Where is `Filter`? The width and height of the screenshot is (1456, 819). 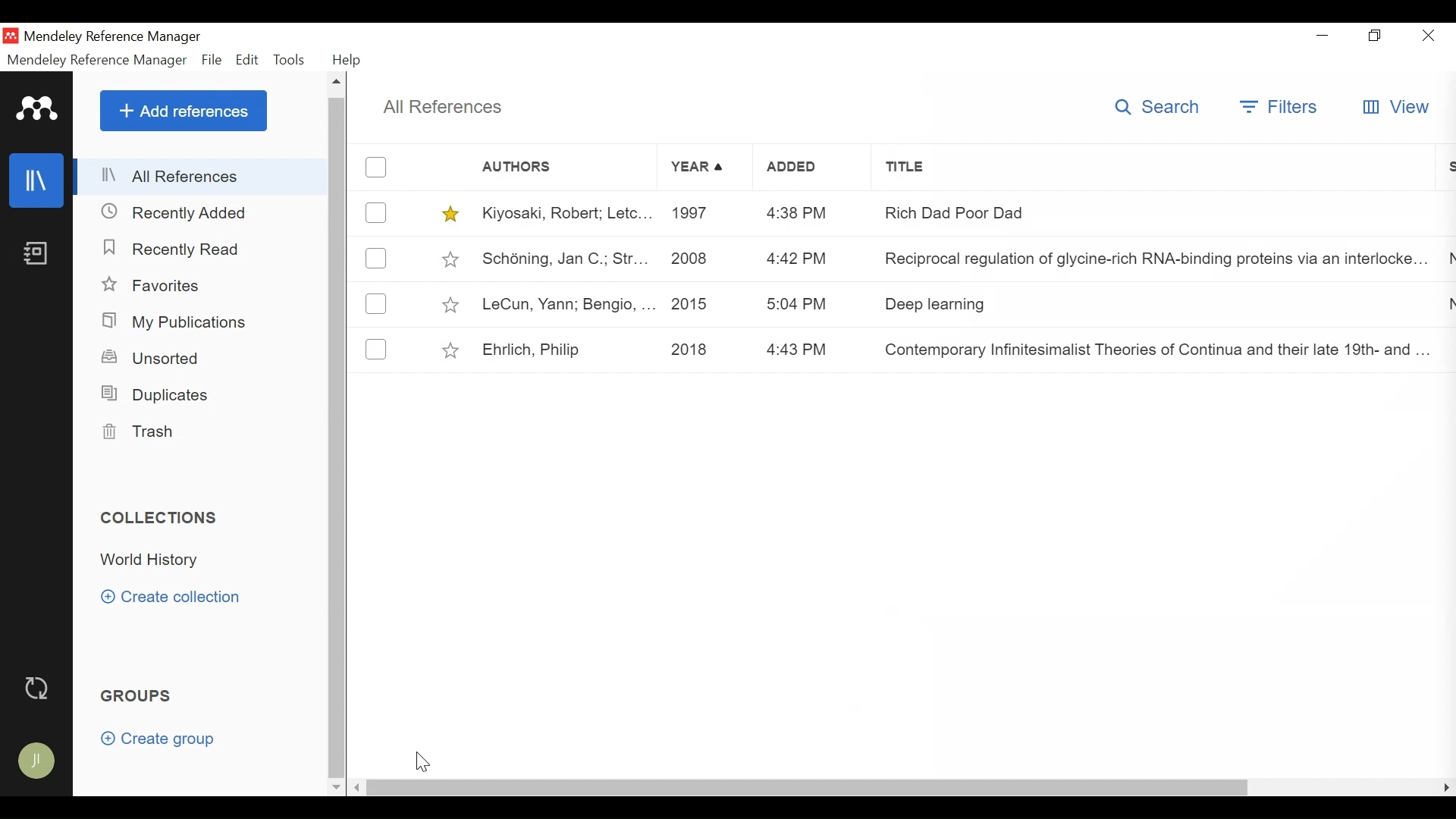 Filter is located at coordinates (1280, 108).